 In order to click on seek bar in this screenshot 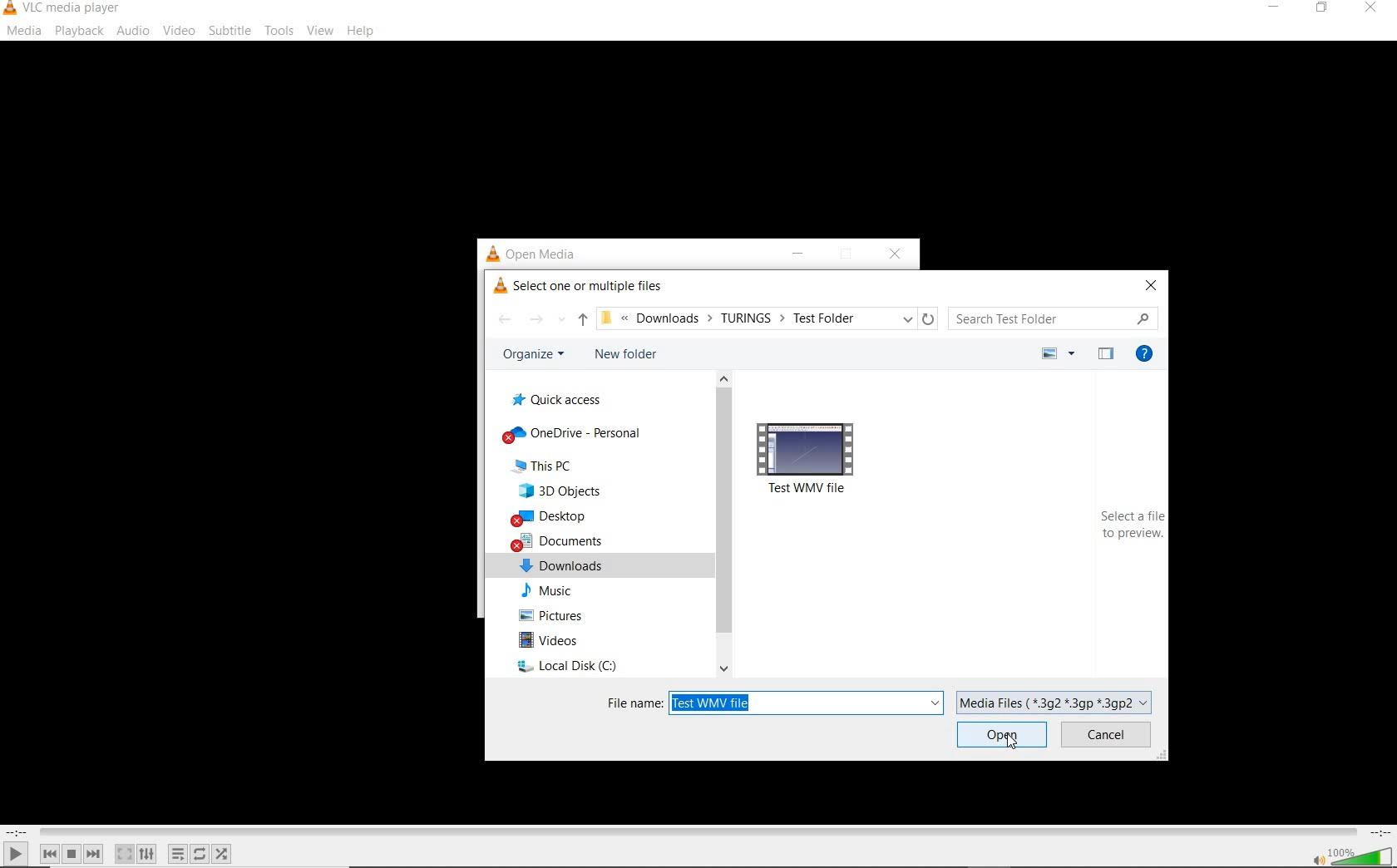, I will do `click(696, 832)`.